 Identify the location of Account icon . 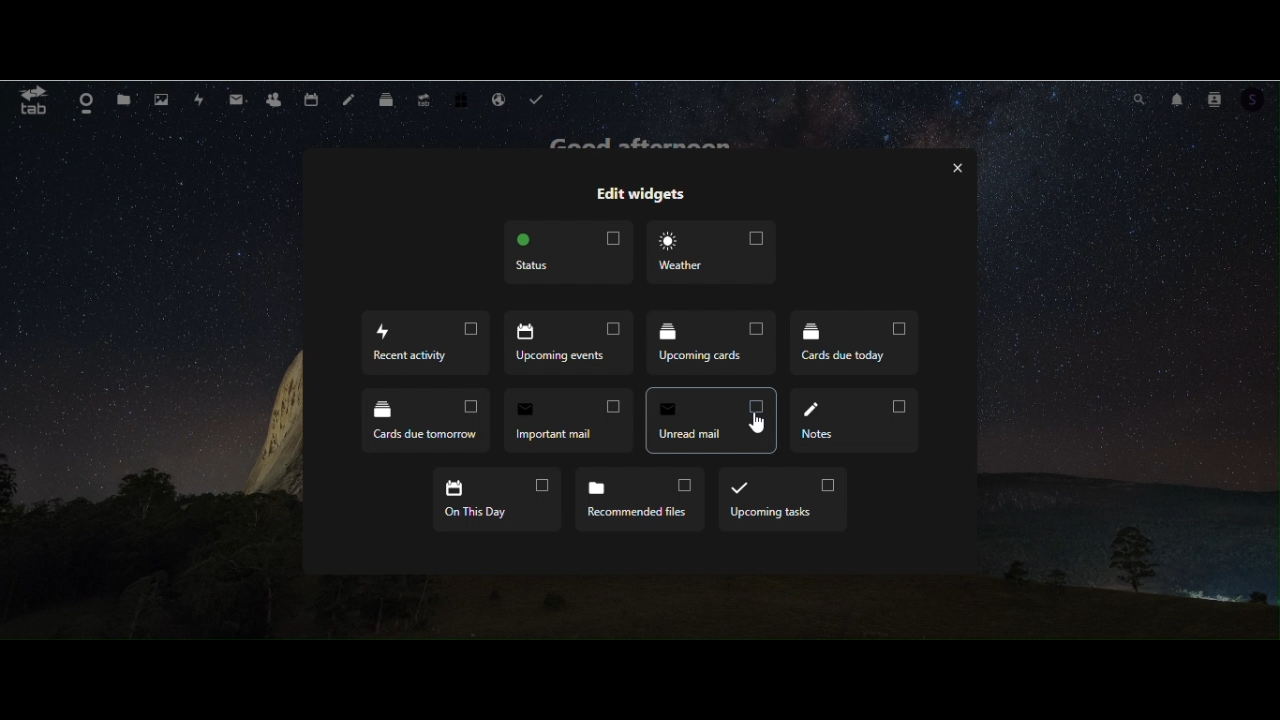
(1260, 102).